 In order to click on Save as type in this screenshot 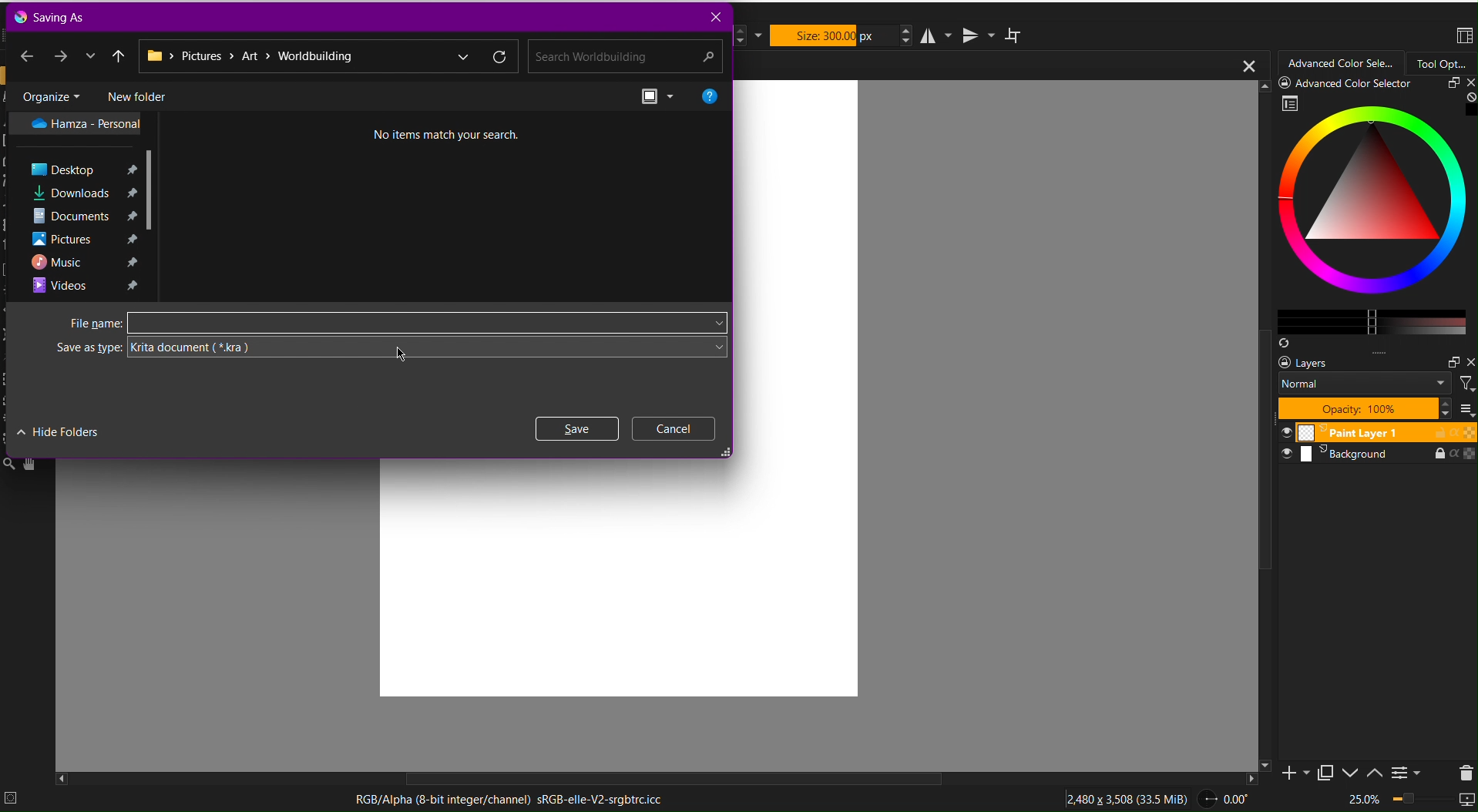, I will do `click(76, 347)`.